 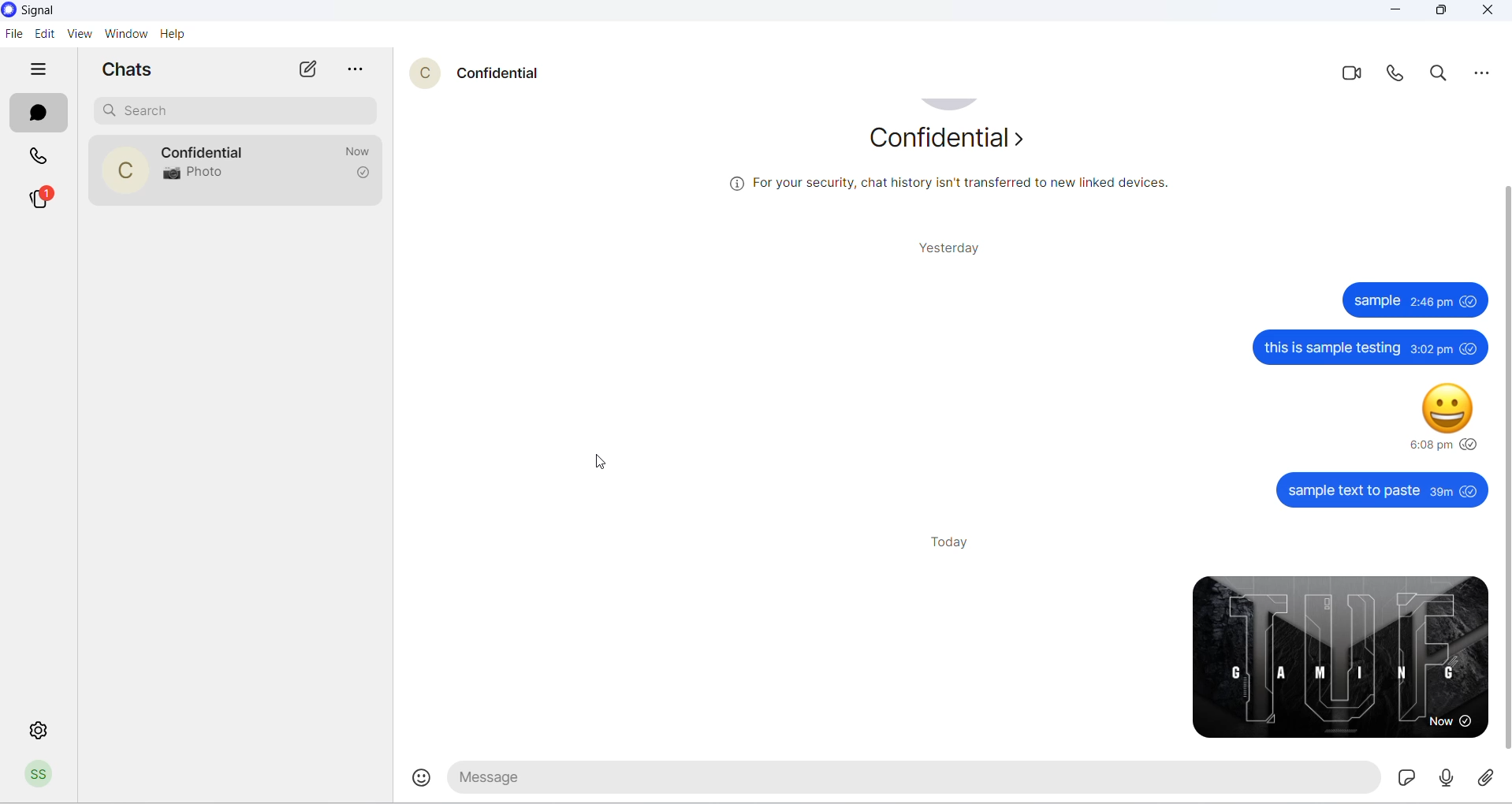 What do you see at coordinates (207, 150) in the screenshot?
I see `contact name` at bounding box center [207, 150].